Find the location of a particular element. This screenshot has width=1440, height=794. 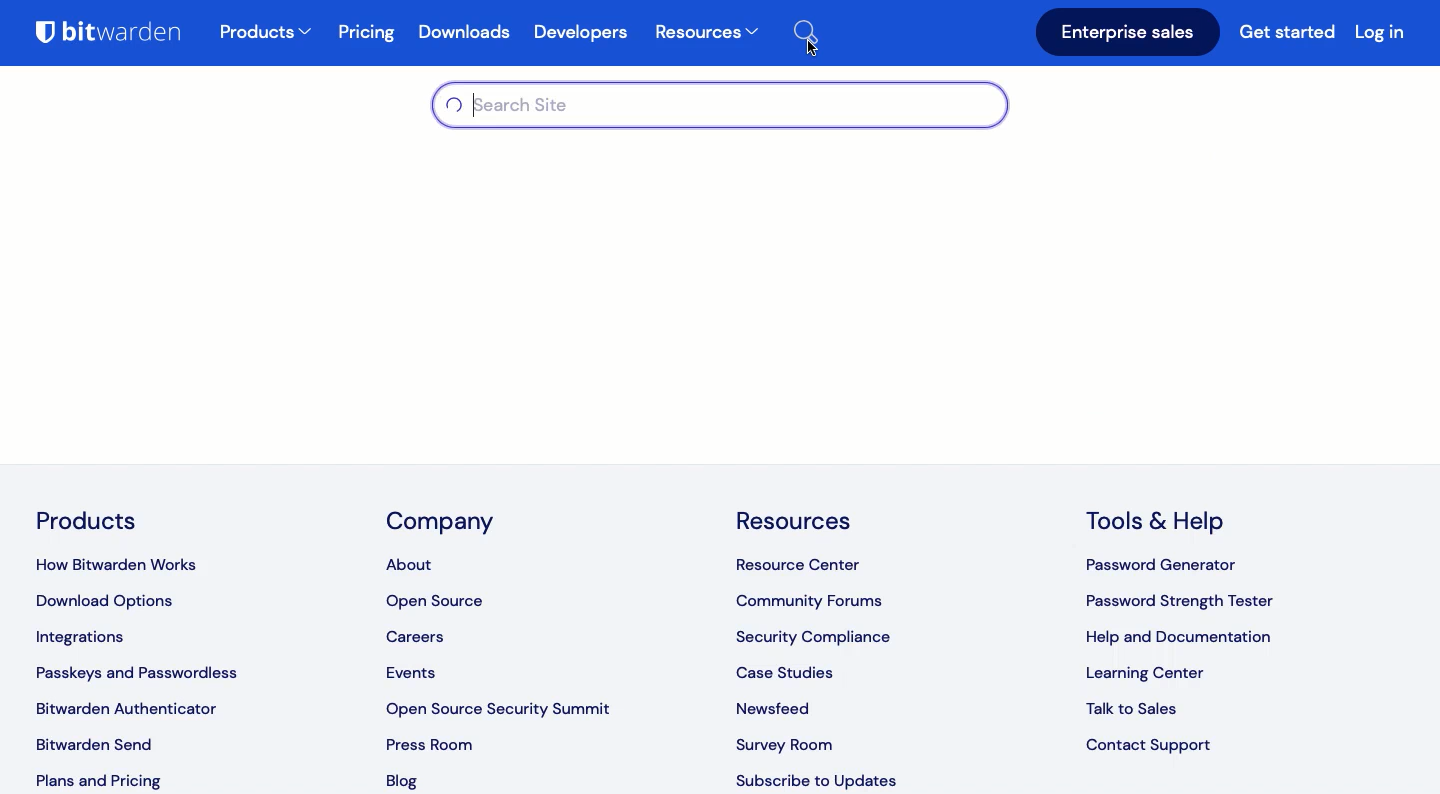

events is located at coordinates (414, 674).